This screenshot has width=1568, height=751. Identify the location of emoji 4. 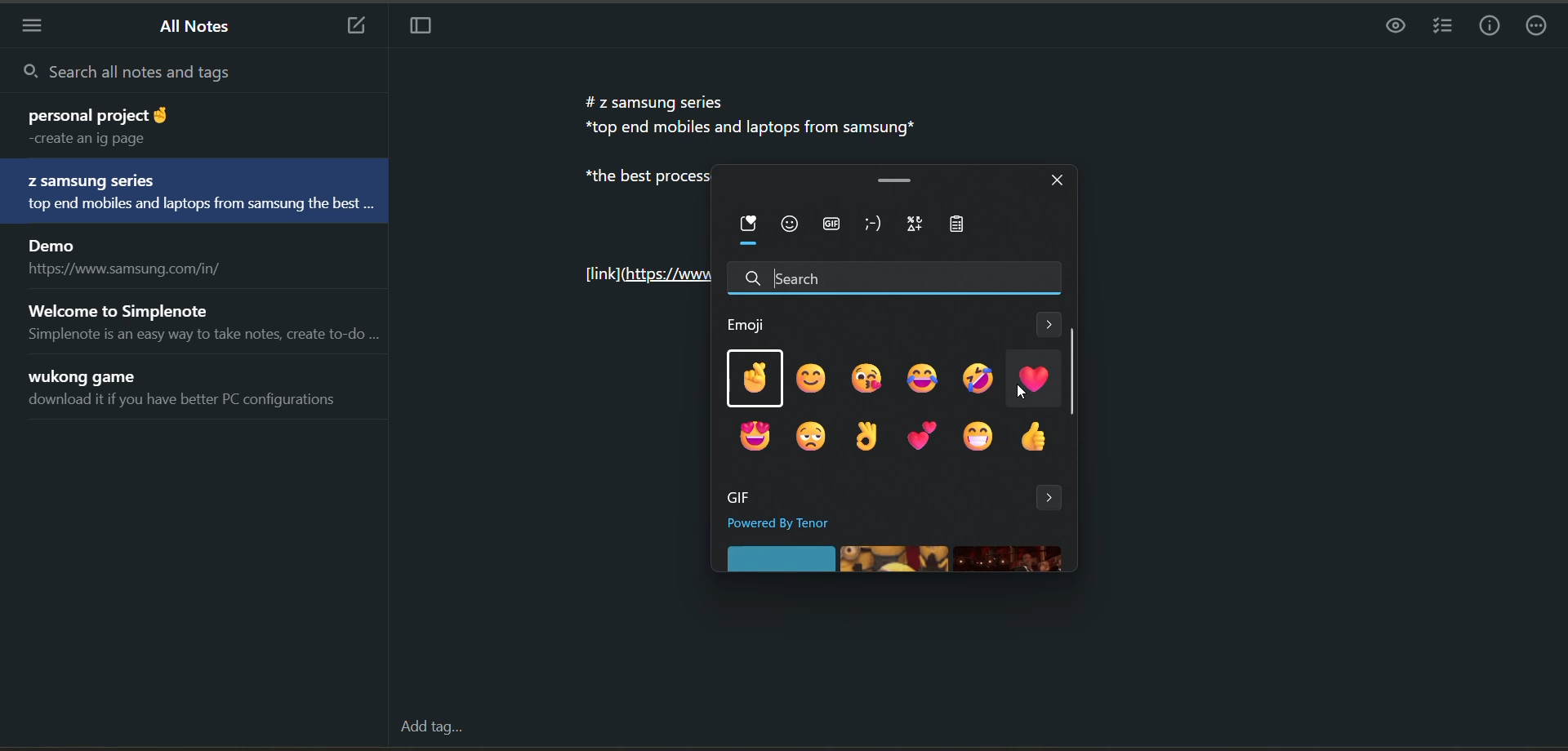
(920, 378).